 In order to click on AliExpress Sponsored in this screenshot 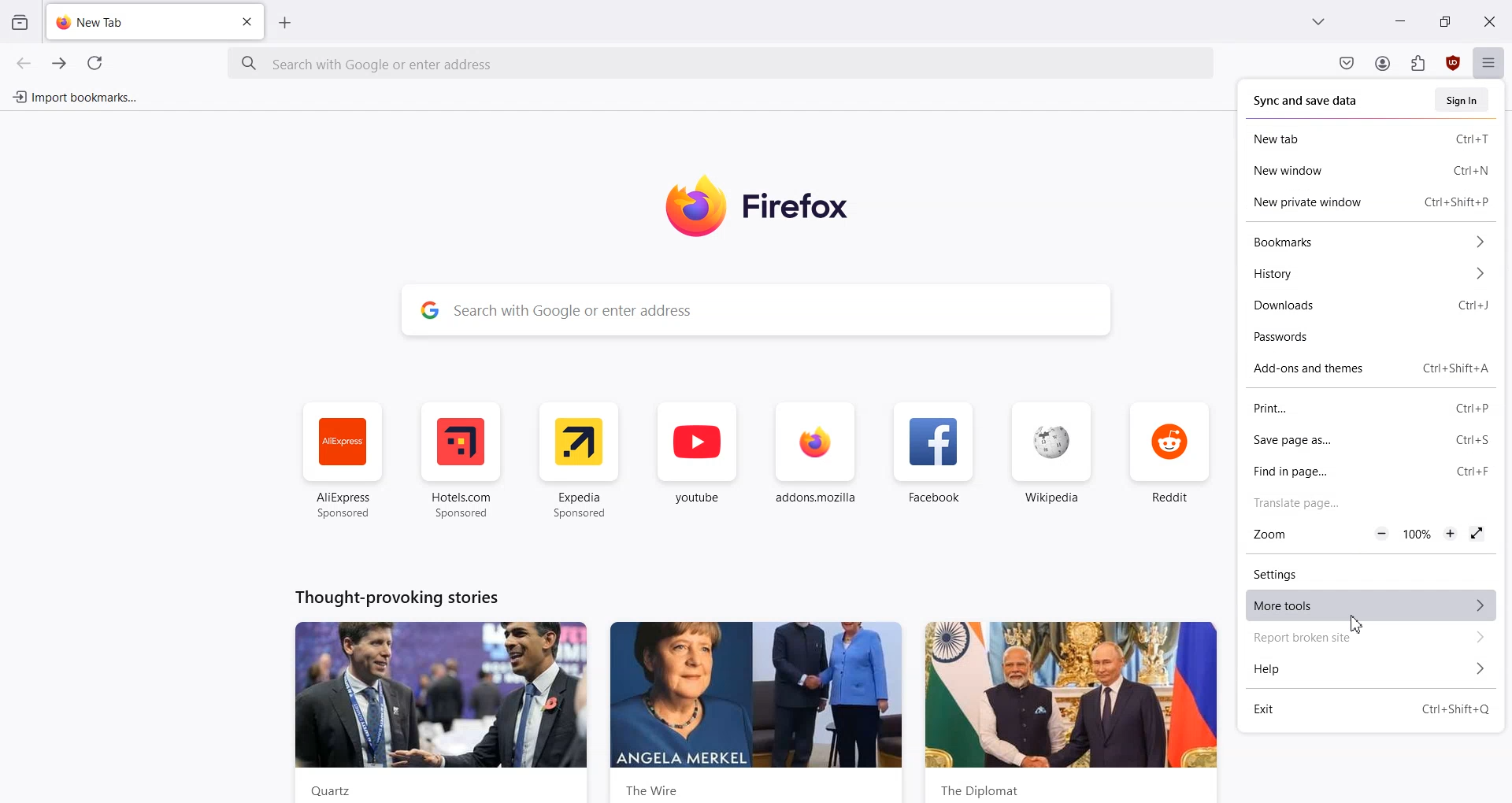, I will do `click(339, 461)`.